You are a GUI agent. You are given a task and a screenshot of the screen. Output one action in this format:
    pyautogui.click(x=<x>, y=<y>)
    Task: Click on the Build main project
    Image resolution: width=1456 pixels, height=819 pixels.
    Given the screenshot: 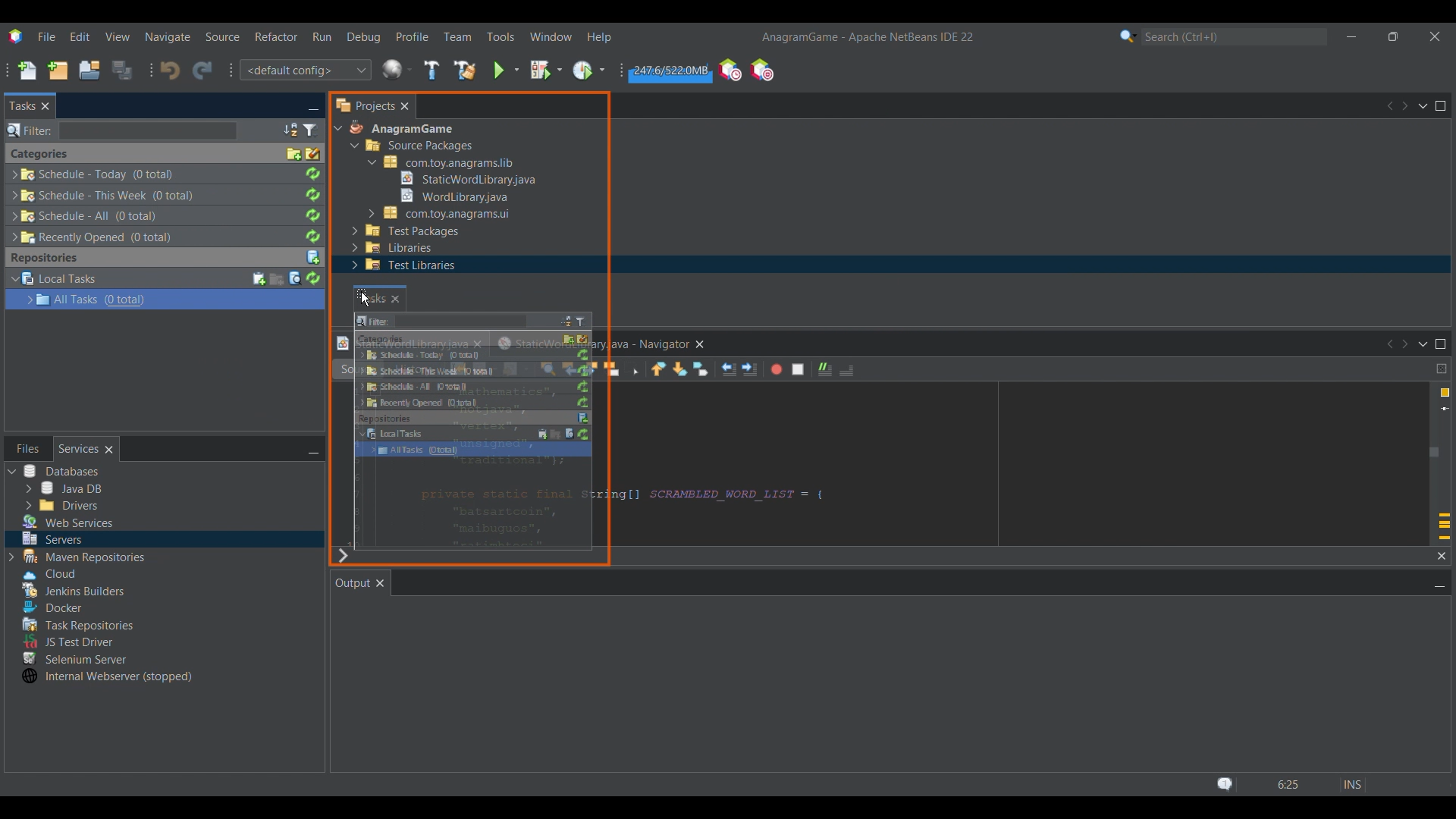 What is the action you would take?
    pyautogui.click(x=431, y=70)
    